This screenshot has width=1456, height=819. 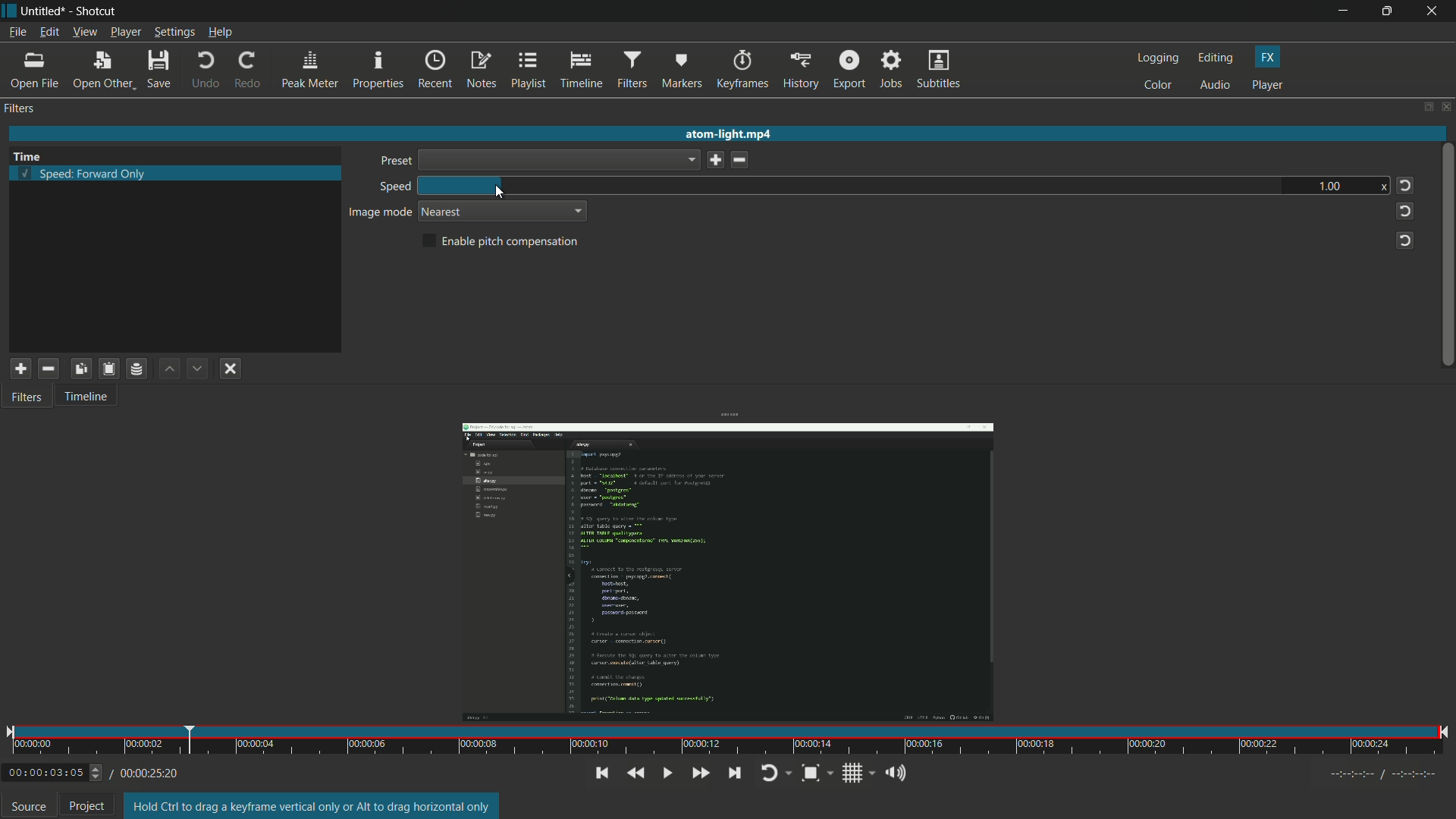 What do you see at coordinates (814, 773) in the screenshot?
I see `toggle zoom` at bounding box center [814, 773].